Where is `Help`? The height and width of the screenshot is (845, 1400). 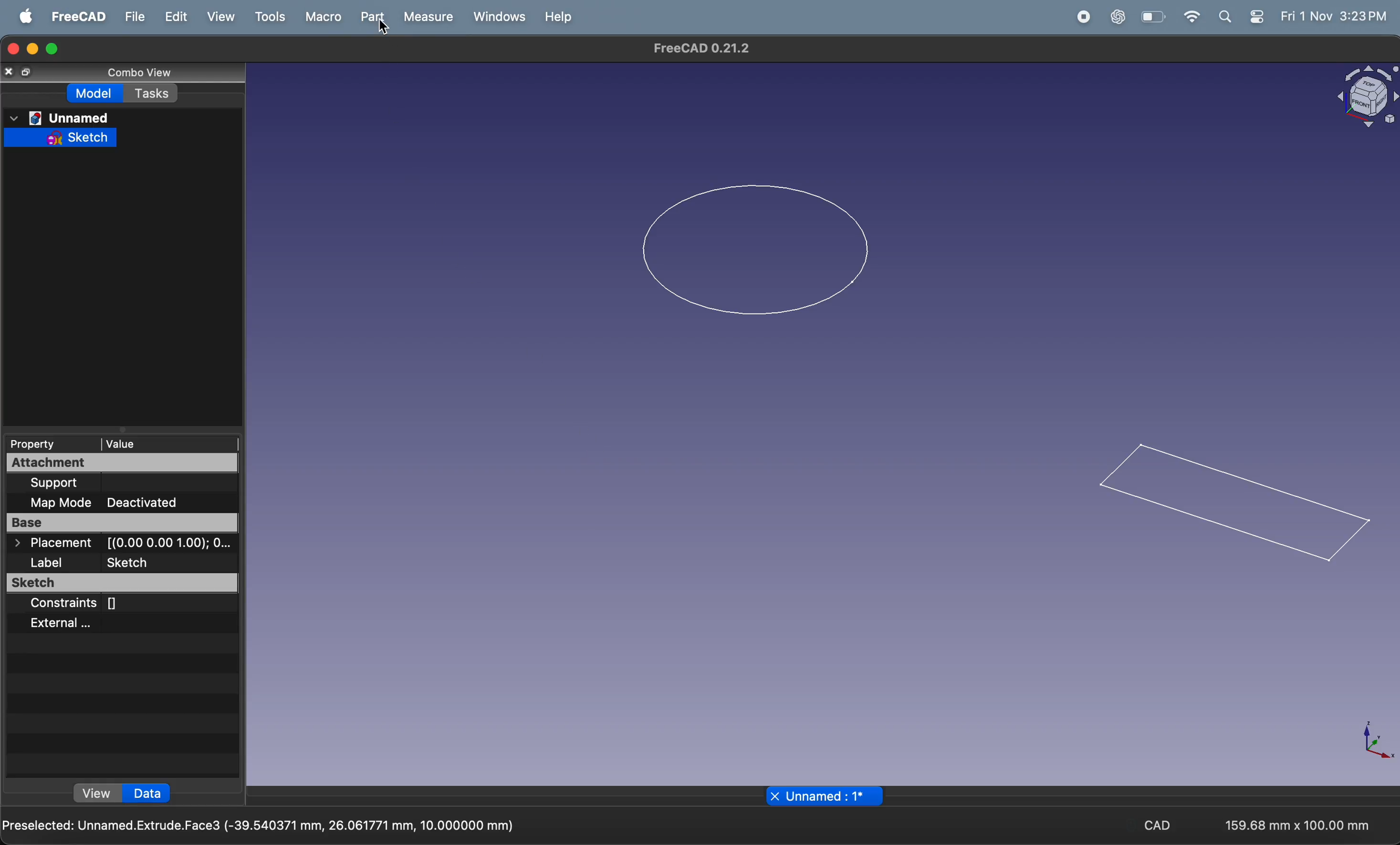 Help is located at coordinates (561, 17).